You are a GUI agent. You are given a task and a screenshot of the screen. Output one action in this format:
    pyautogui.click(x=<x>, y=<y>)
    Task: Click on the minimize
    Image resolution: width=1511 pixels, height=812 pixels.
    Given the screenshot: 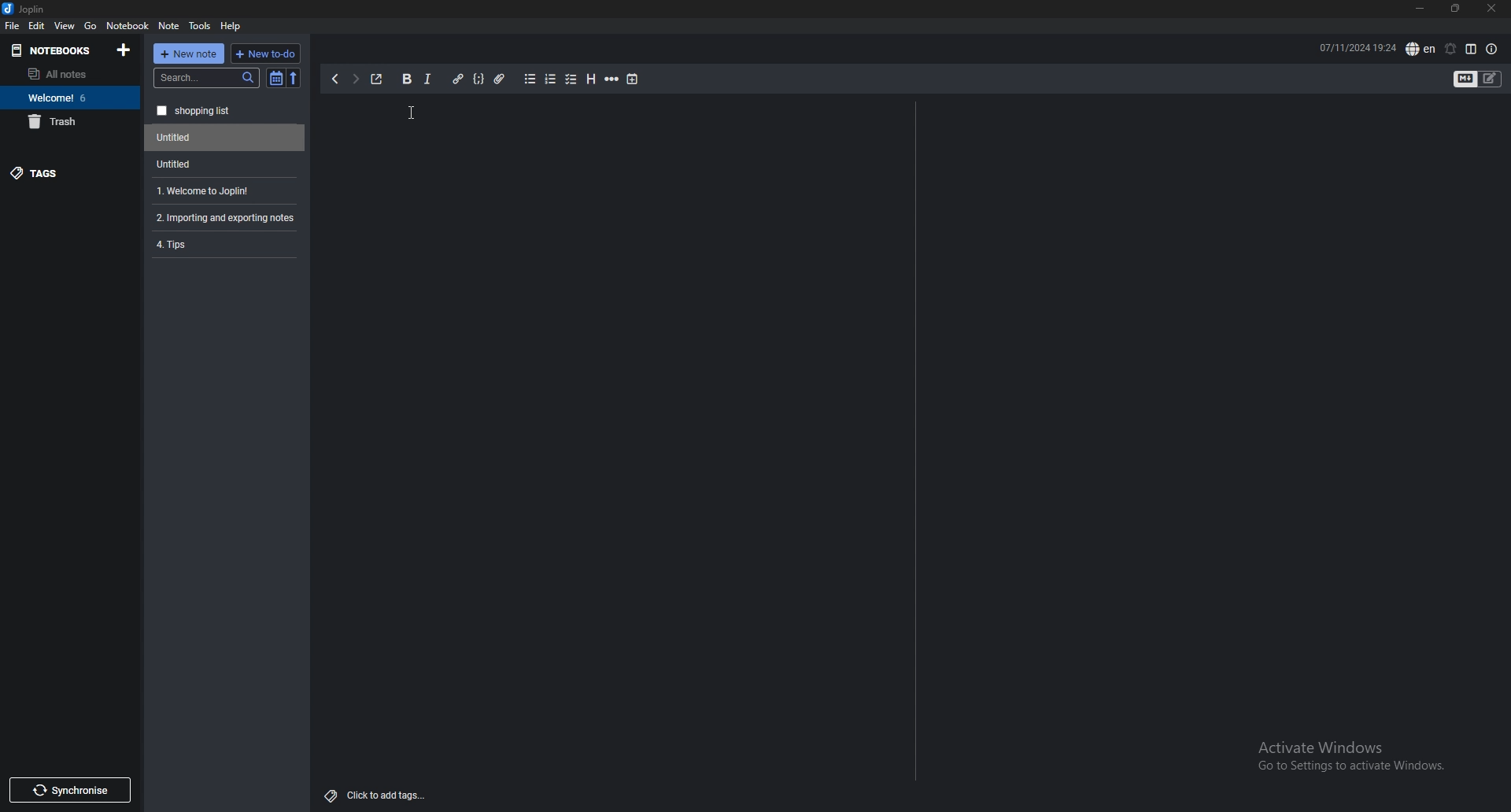 What is the action you would take?
    pyautogui.click(x=1420, y=9)
    